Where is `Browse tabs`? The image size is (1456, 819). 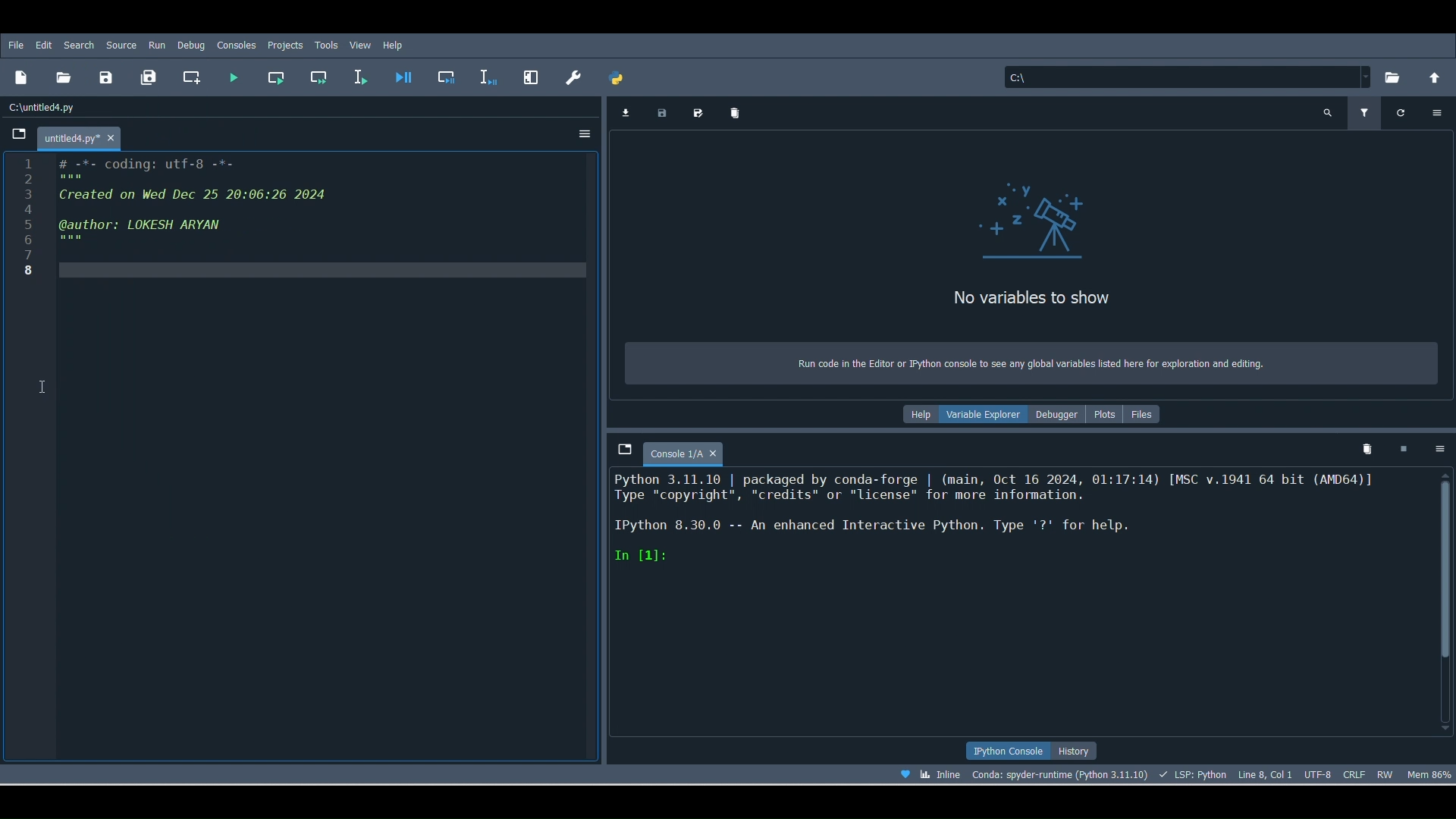
Browse tabs is located at coordinates (18, 136).